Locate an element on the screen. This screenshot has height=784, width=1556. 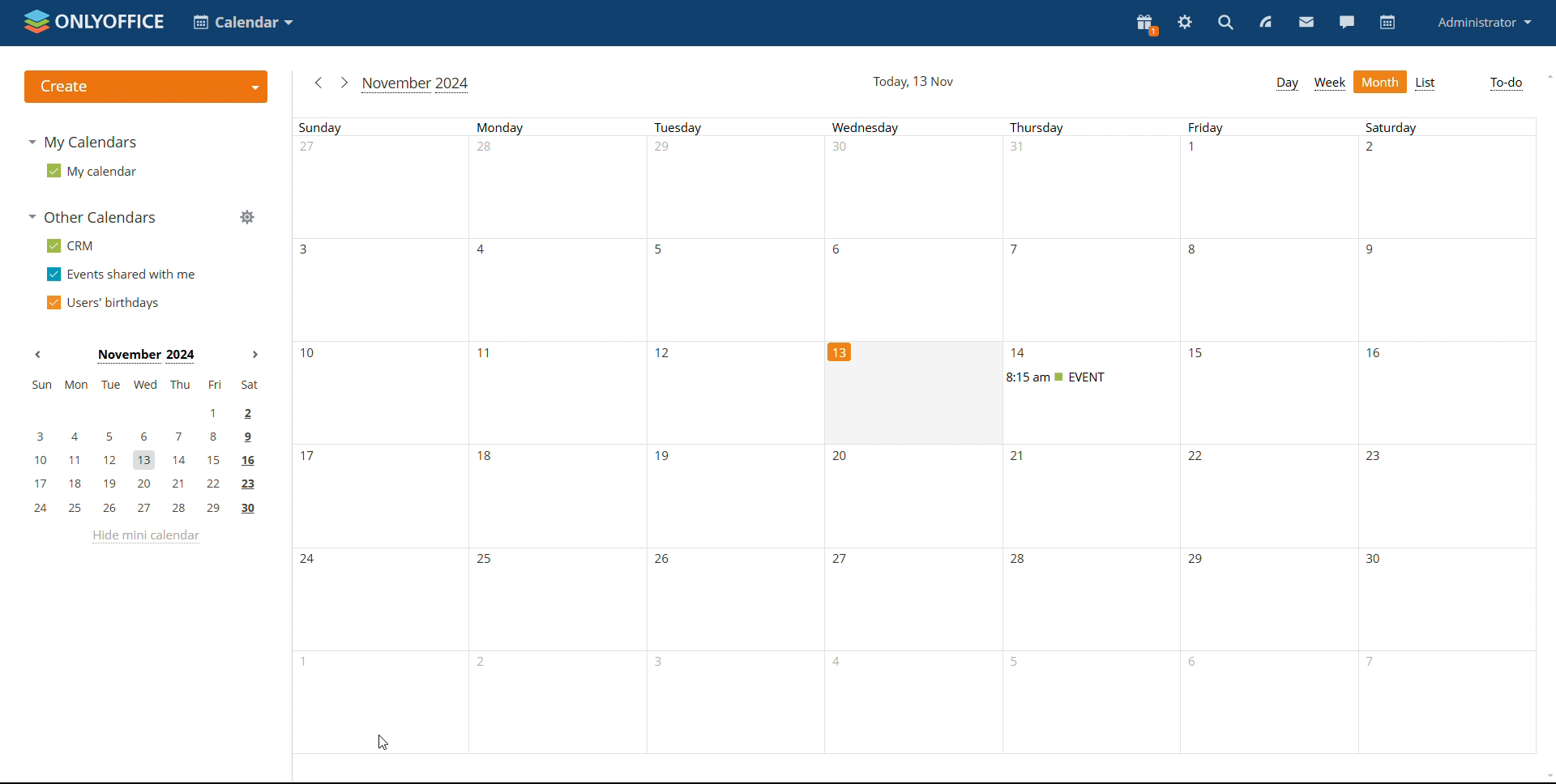
dates of the month is located at coordinates (924, 701).